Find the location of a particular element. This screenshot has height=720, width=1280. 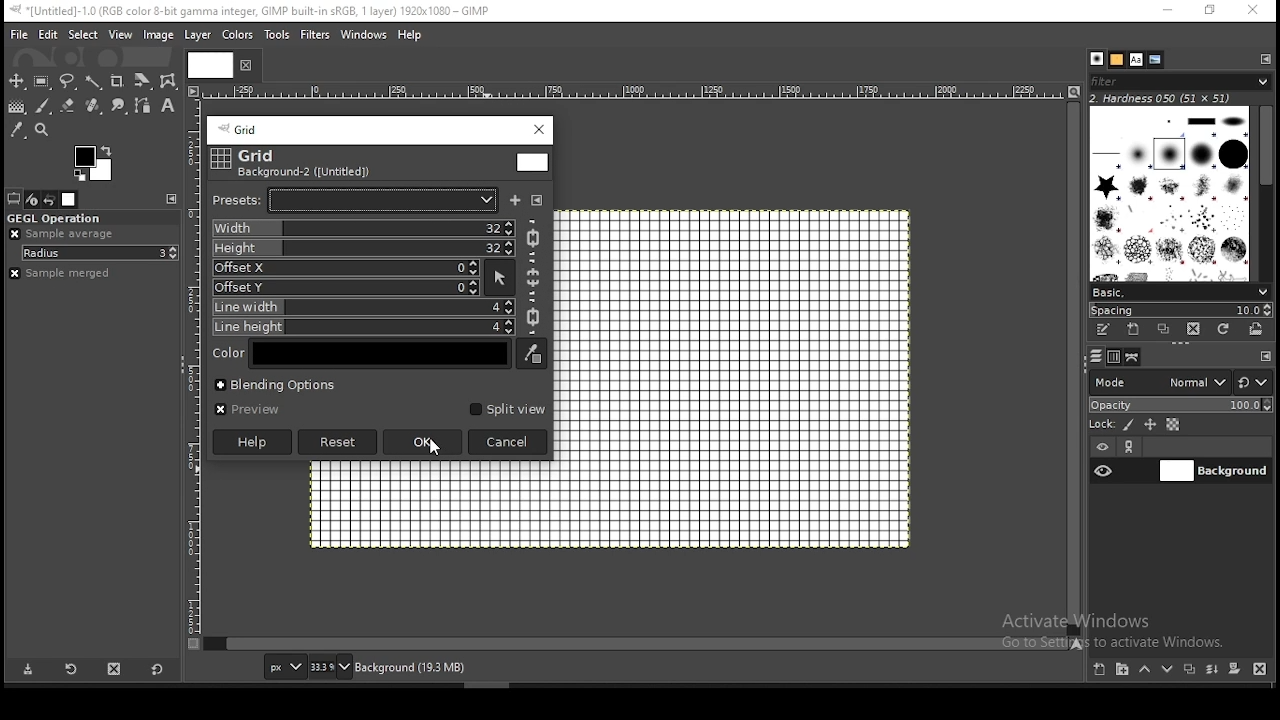

image is located at coordinates (158, 35).